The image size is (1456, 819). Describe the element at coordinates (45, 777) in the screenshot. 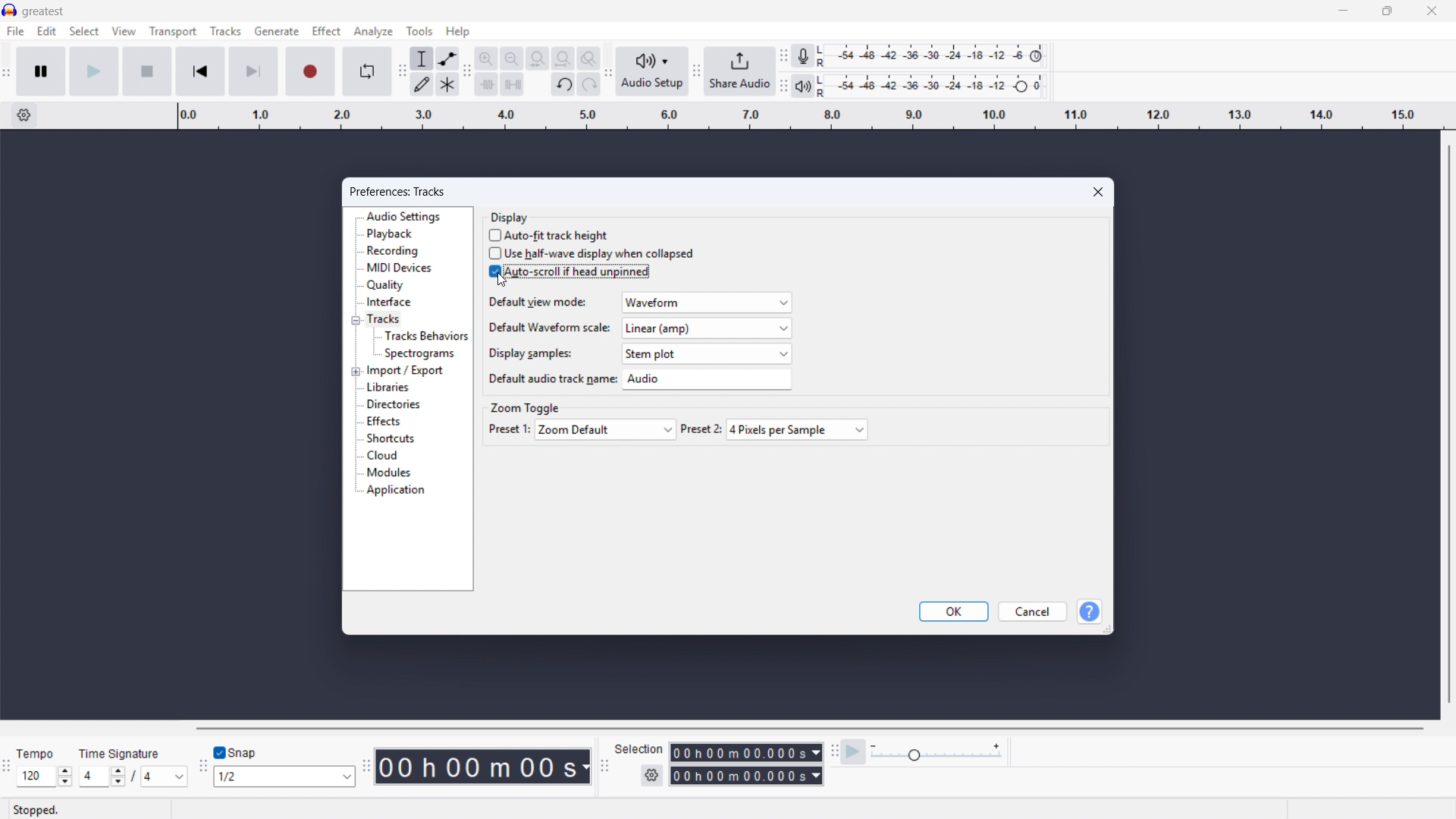

I see `Set tempo ` at that location.